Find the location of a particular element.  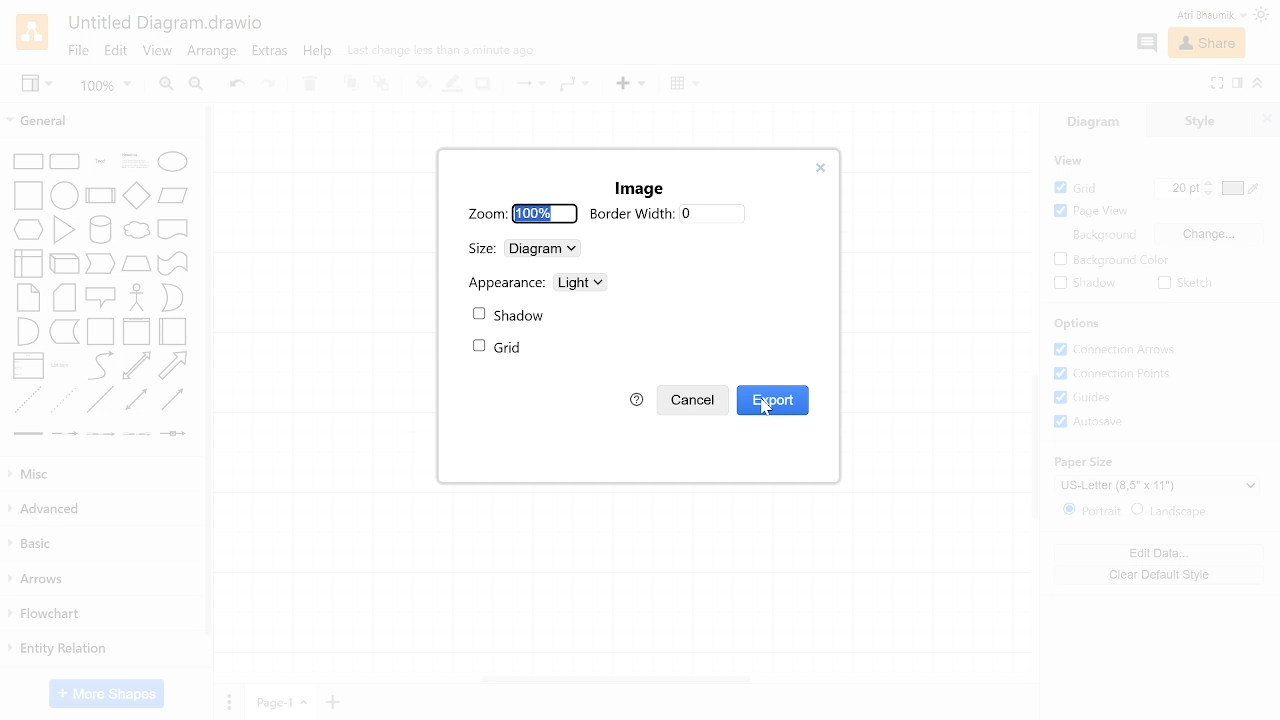

100% is located at coordinates (535, 213).